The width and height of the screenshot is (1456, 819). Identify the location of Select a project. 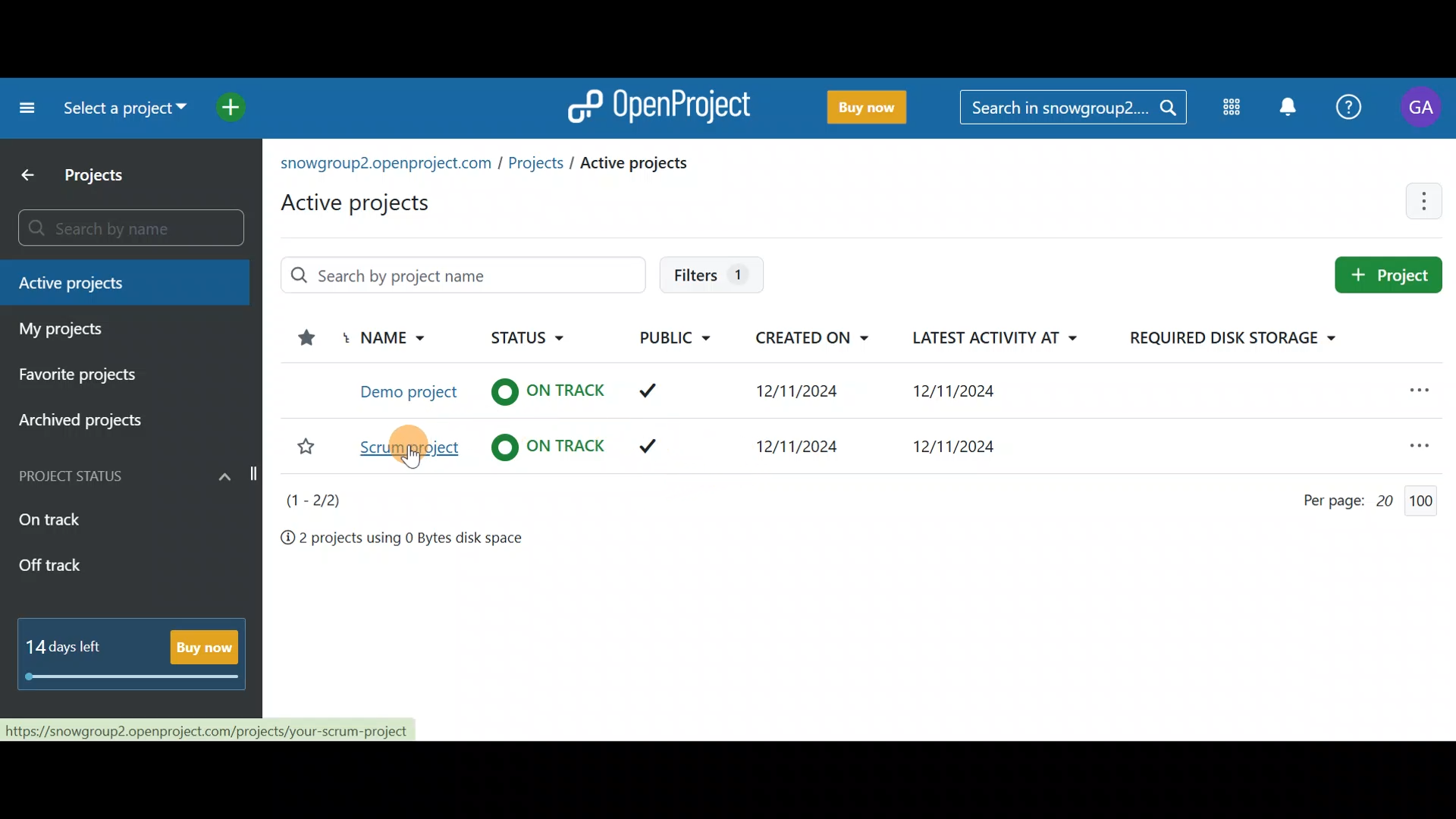
(123, 114).